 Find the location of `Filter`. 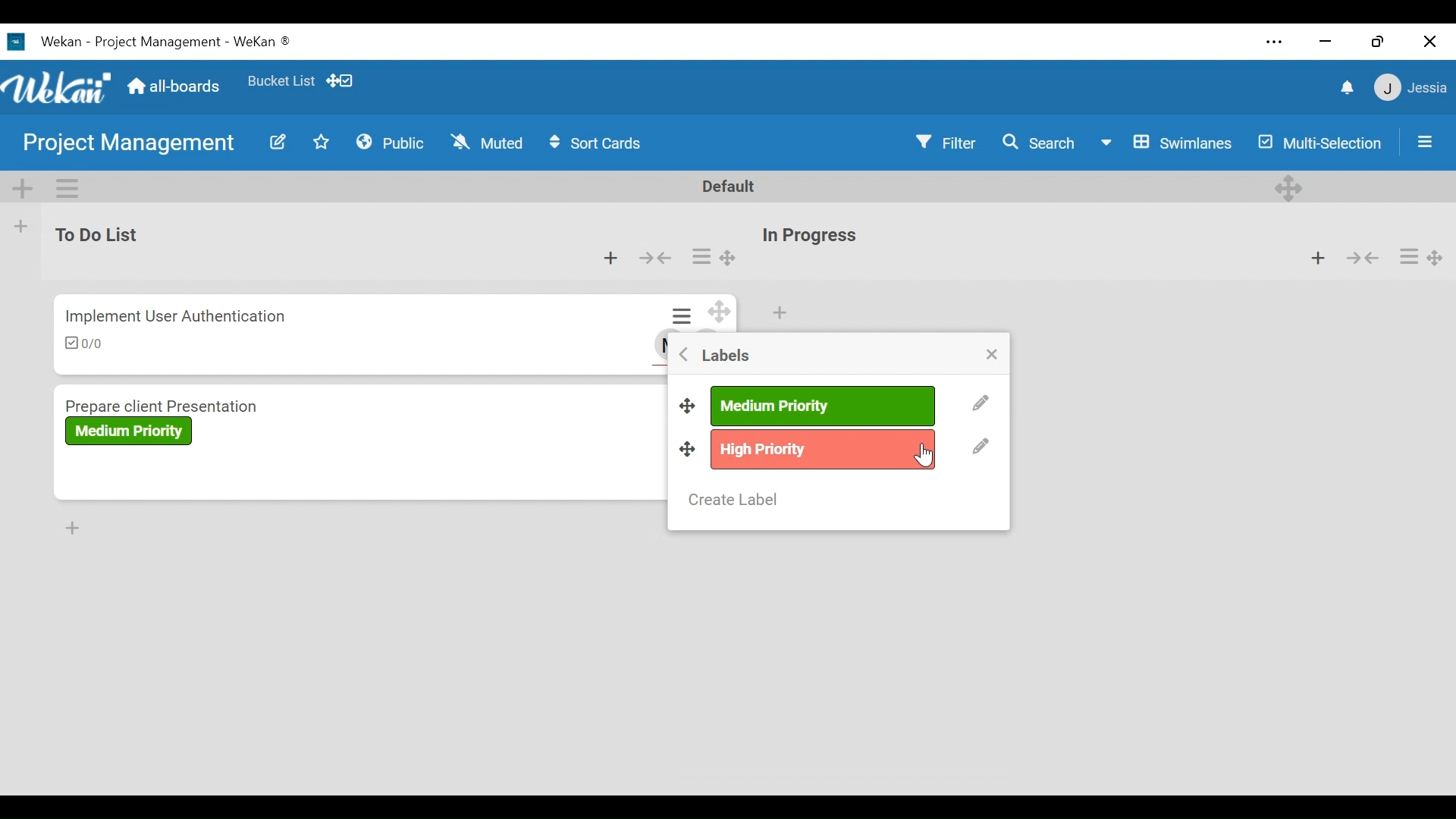

Filter is located at coordinates (948, 142).